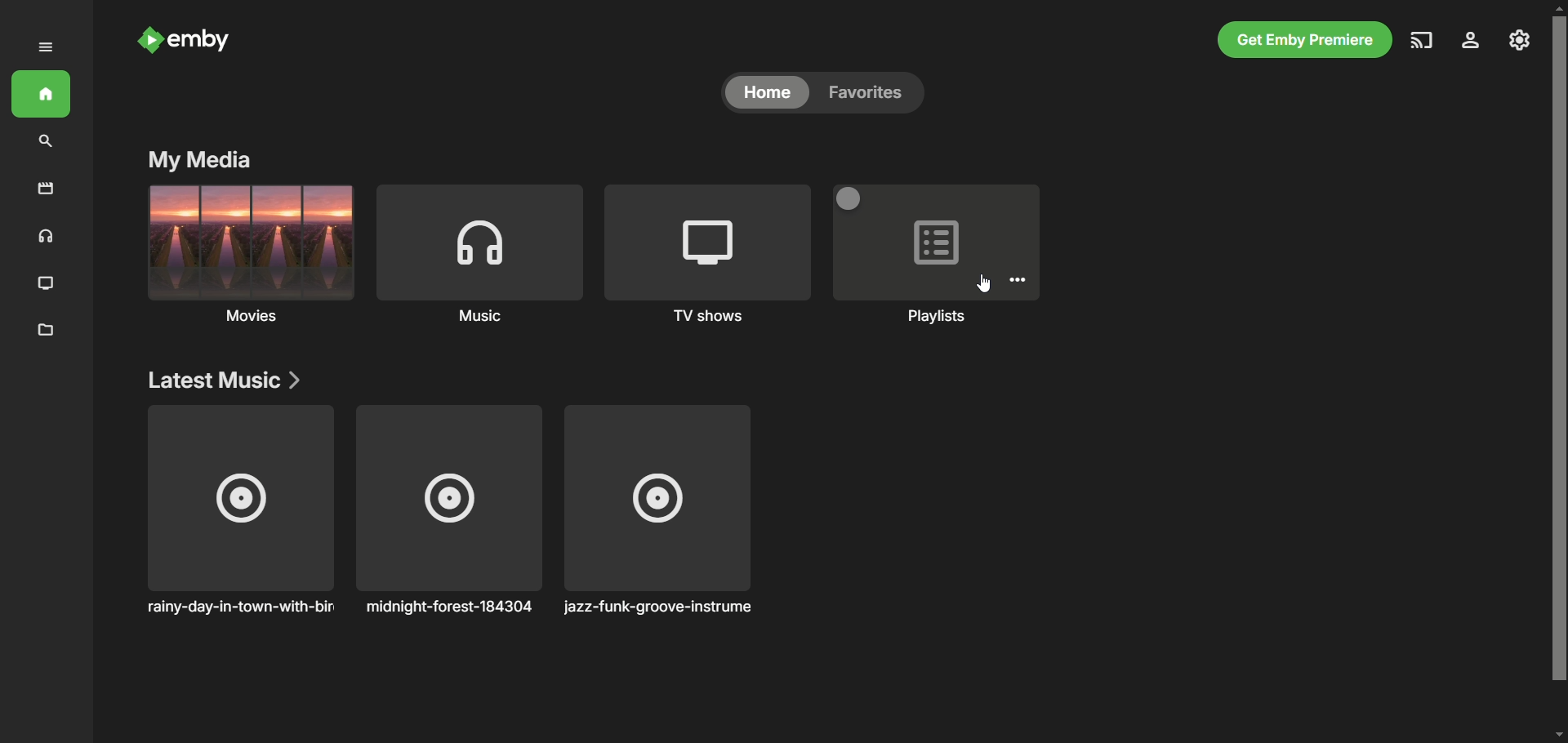  Describe the element at coordinates (47, 331) in the screenshot. I see `metadata manager` at that location.